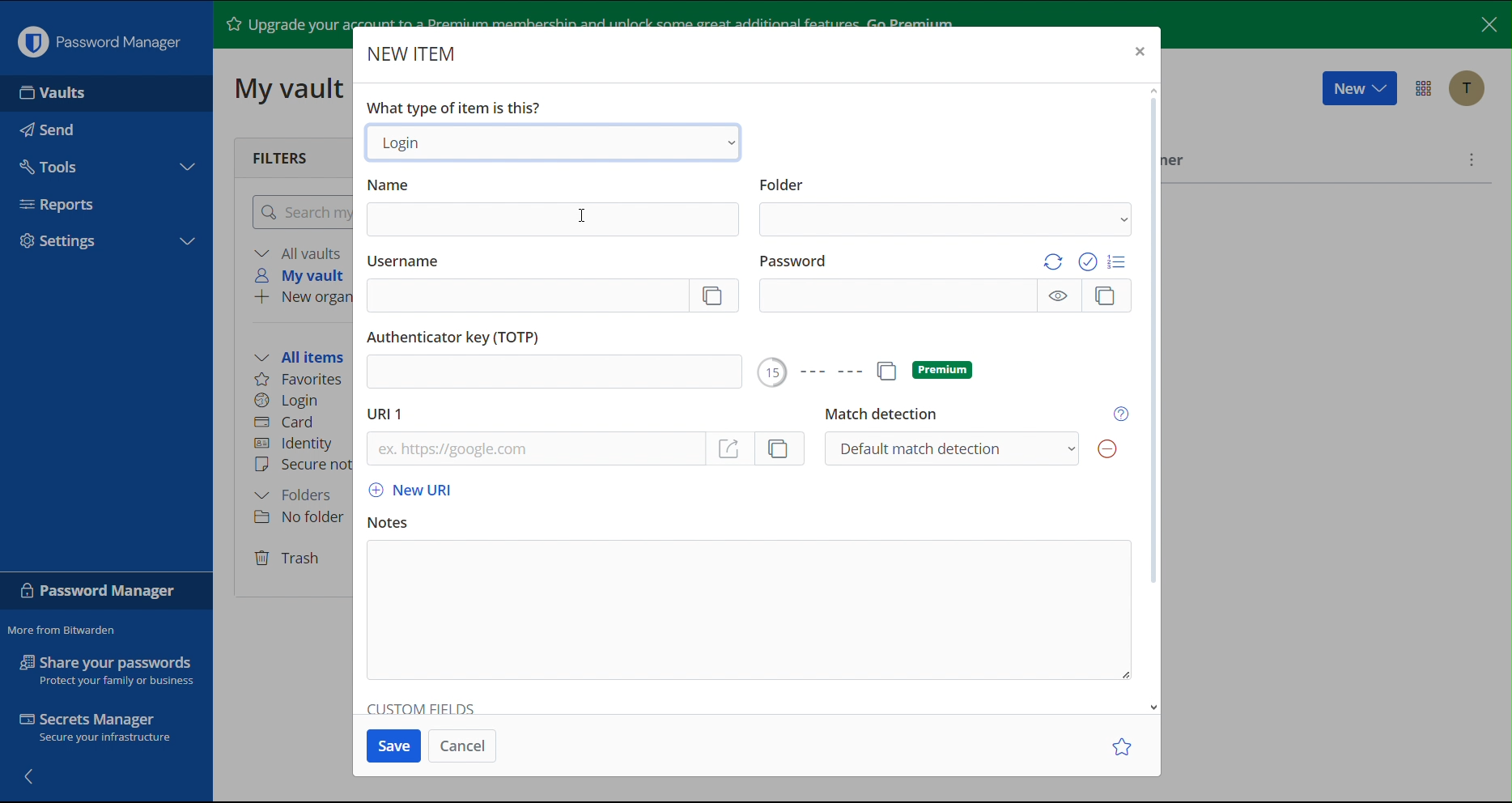 The height and width of the screenshot is (803, 1512). What do you see at coordinates (588, 452) in the screenshot?
I see `URL ` at bounding box center [588, 452].